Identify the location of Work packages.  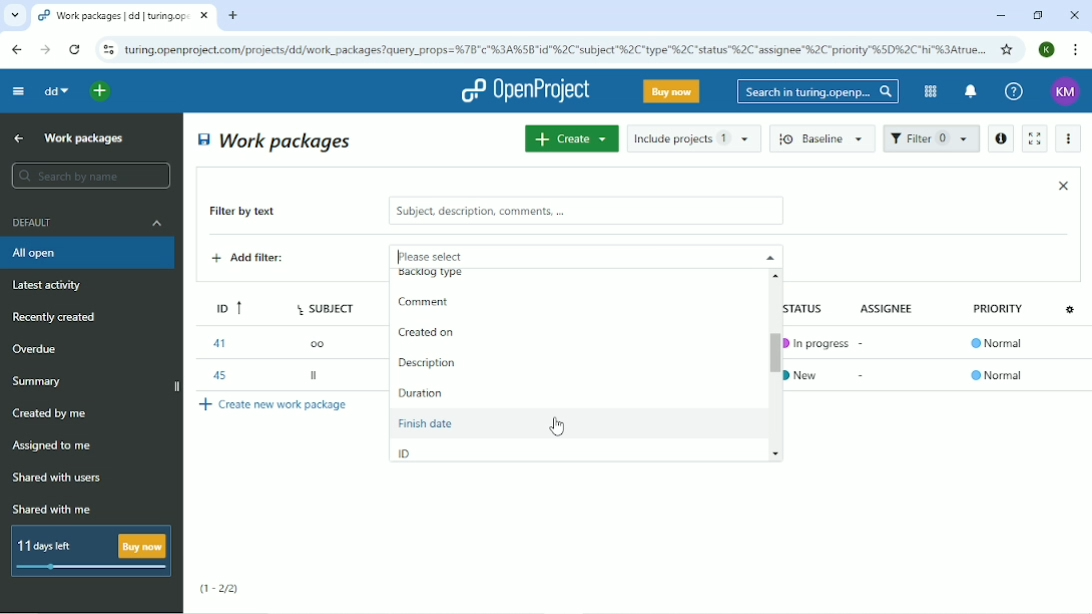
(276, 140).